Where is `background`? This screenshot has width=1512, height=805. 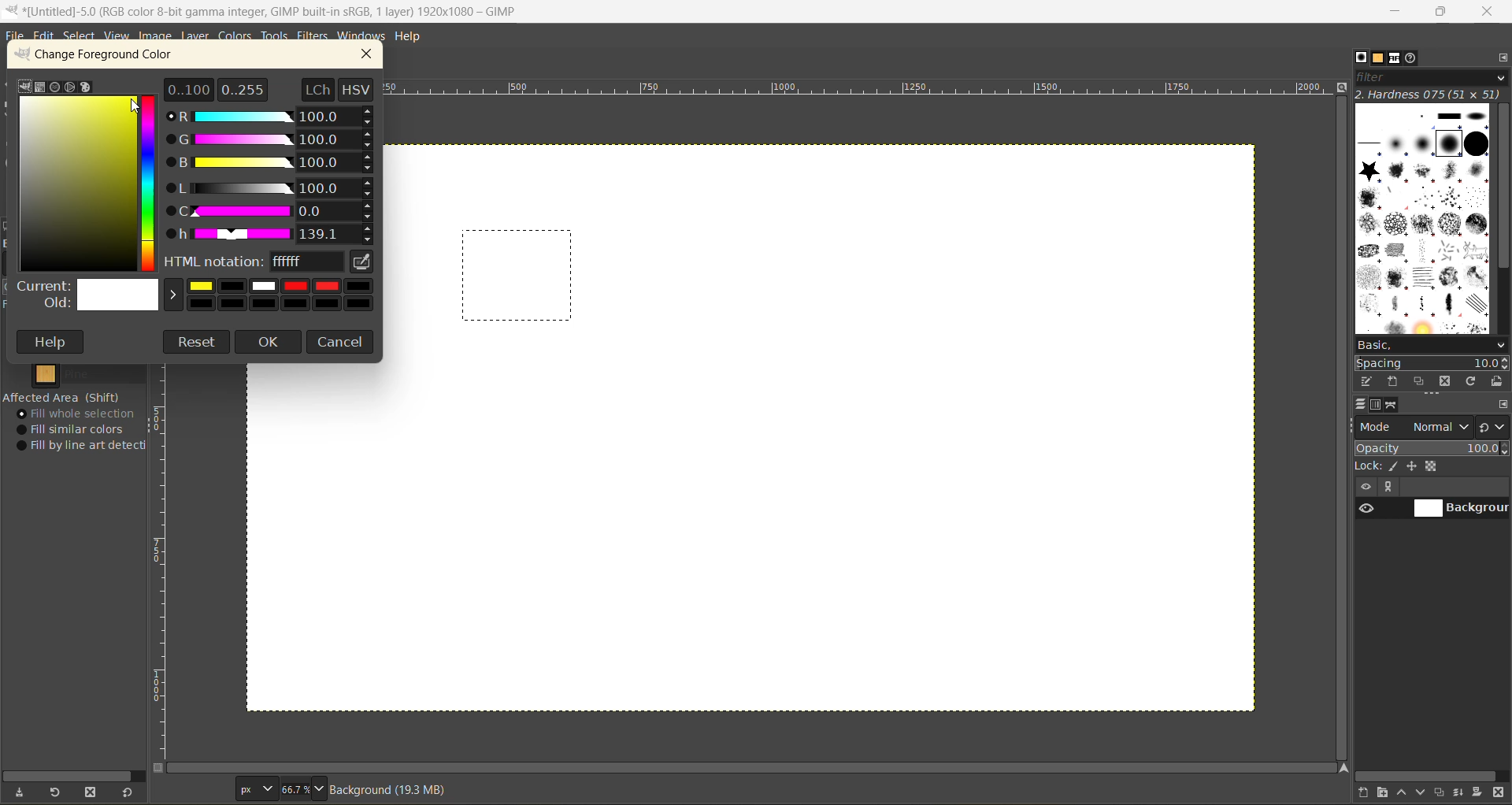 background is located at coordinates (1461, 509).